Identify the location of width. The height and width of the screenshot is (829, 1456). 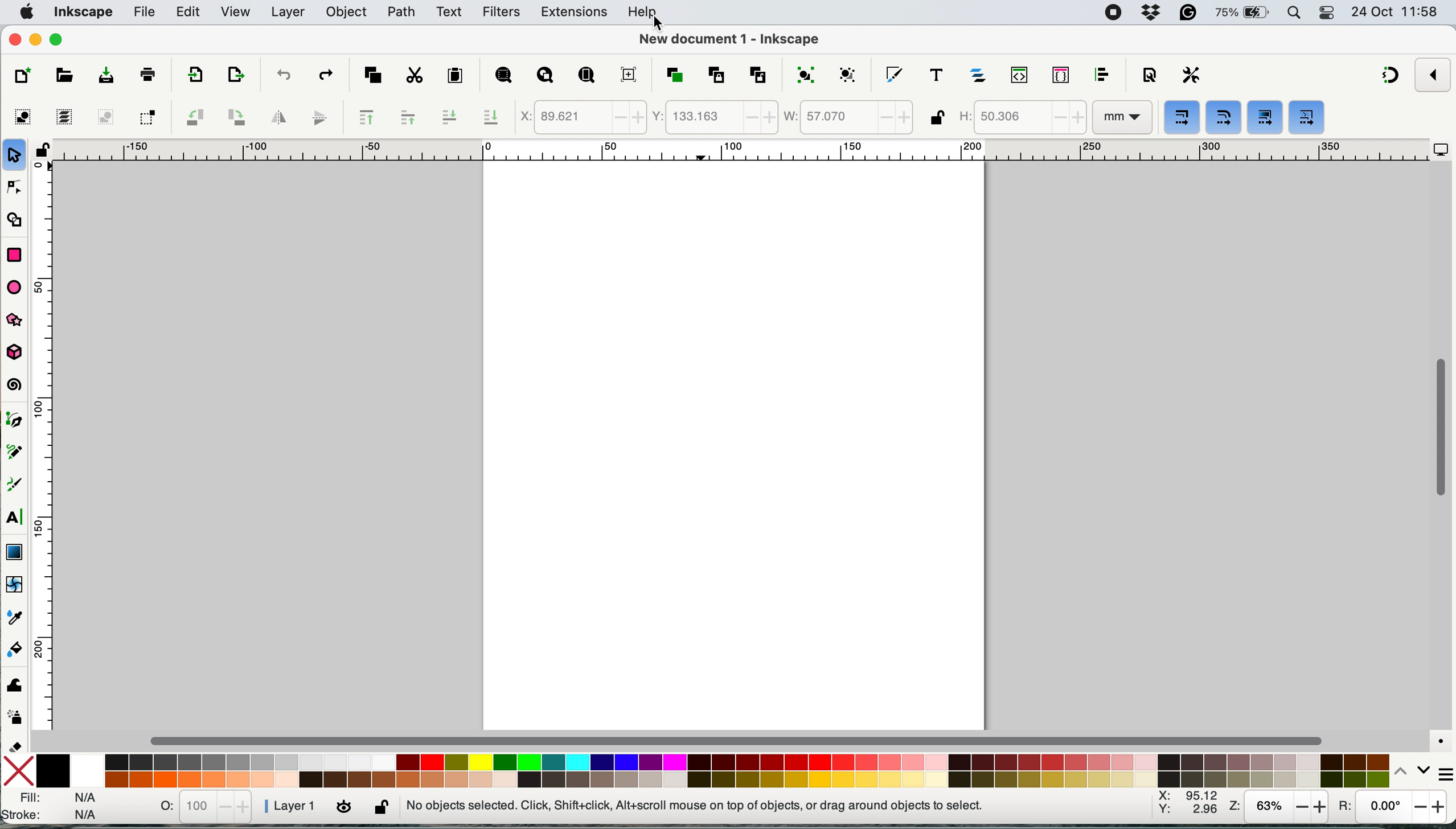
(845, 118).